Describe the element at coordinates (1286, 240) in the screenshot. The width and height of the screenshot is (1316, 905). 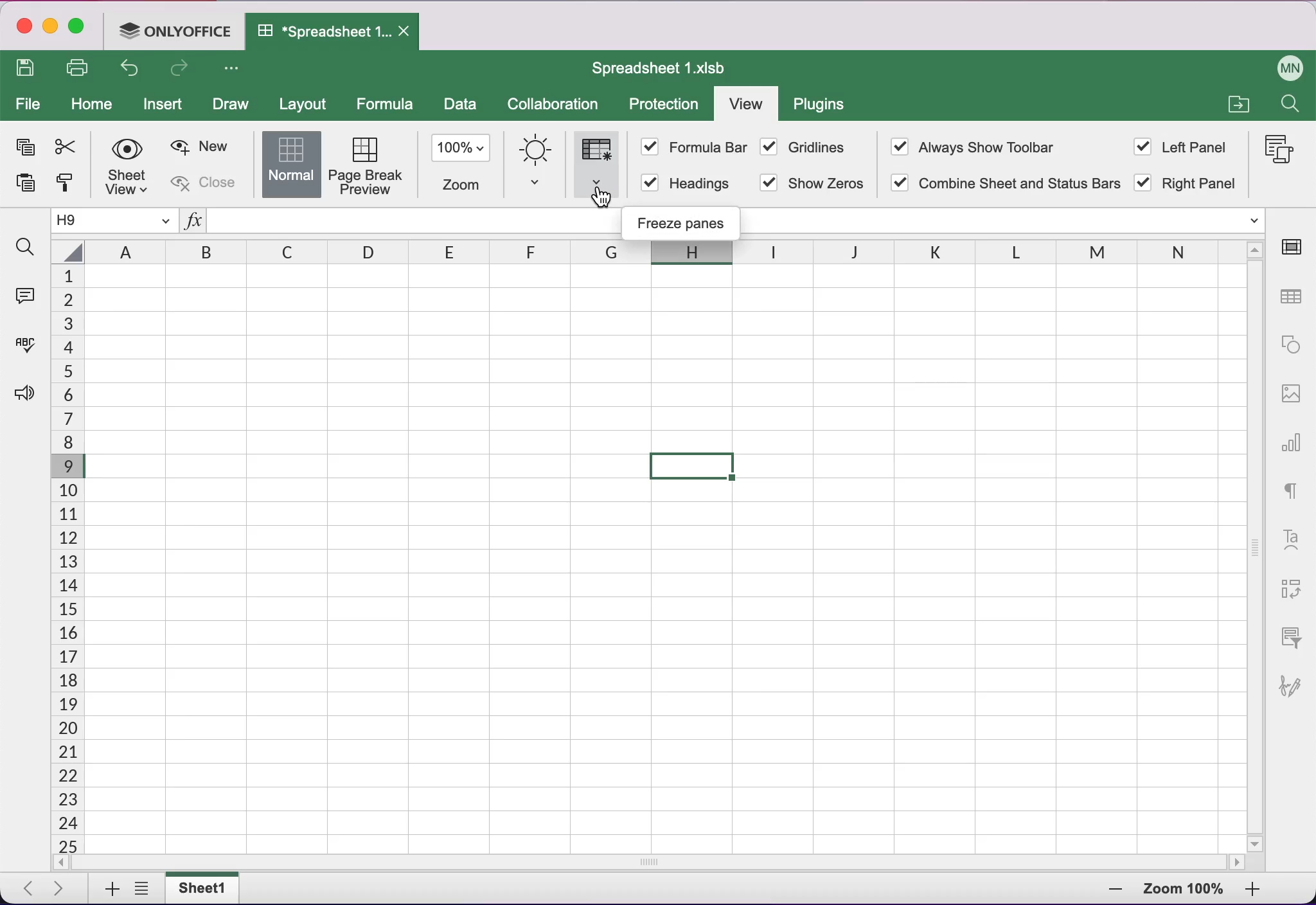
I see `` at that location.